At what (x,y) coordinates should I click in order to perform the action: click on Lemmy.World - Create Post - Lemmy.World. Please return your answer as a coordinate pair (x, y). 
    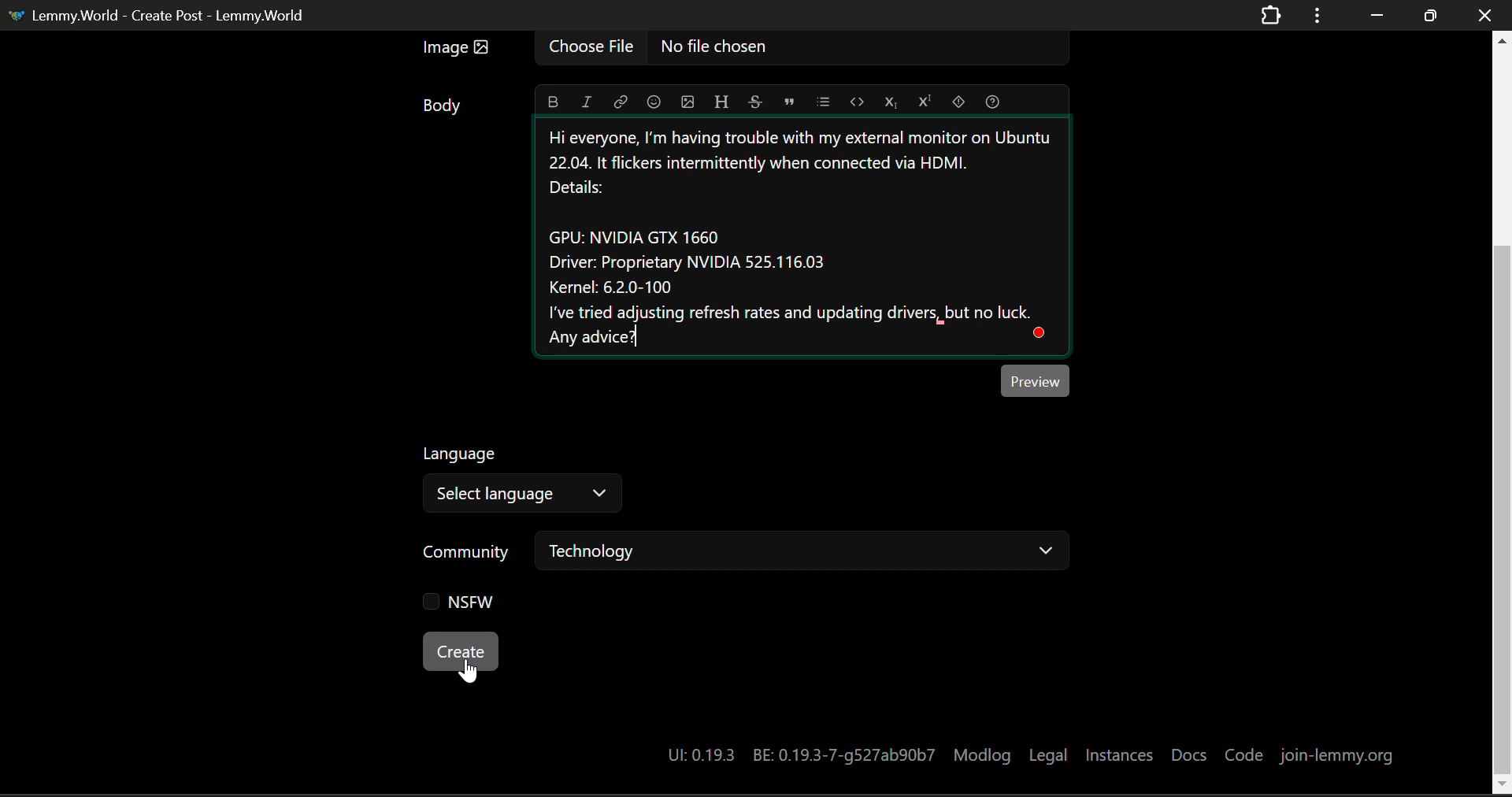
    Looking at the image, I should click on (160, 17).